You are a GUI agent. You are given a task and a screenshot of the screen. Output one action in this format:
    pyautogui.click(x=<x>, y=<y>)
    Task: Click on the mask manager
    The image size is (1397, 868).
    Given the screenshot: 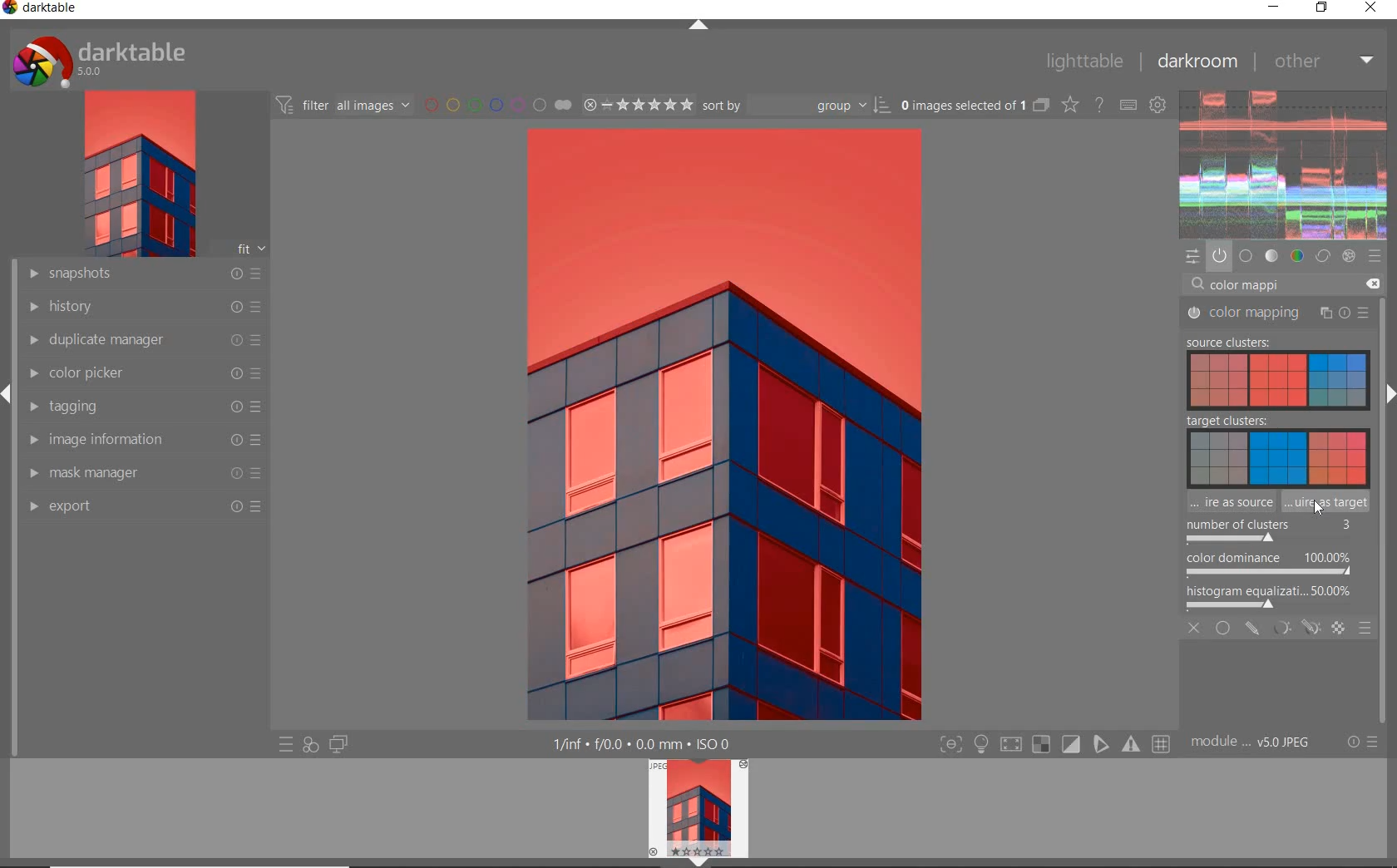 What is the action you would take?
    pyautogui.click(x=146, y=474)
    